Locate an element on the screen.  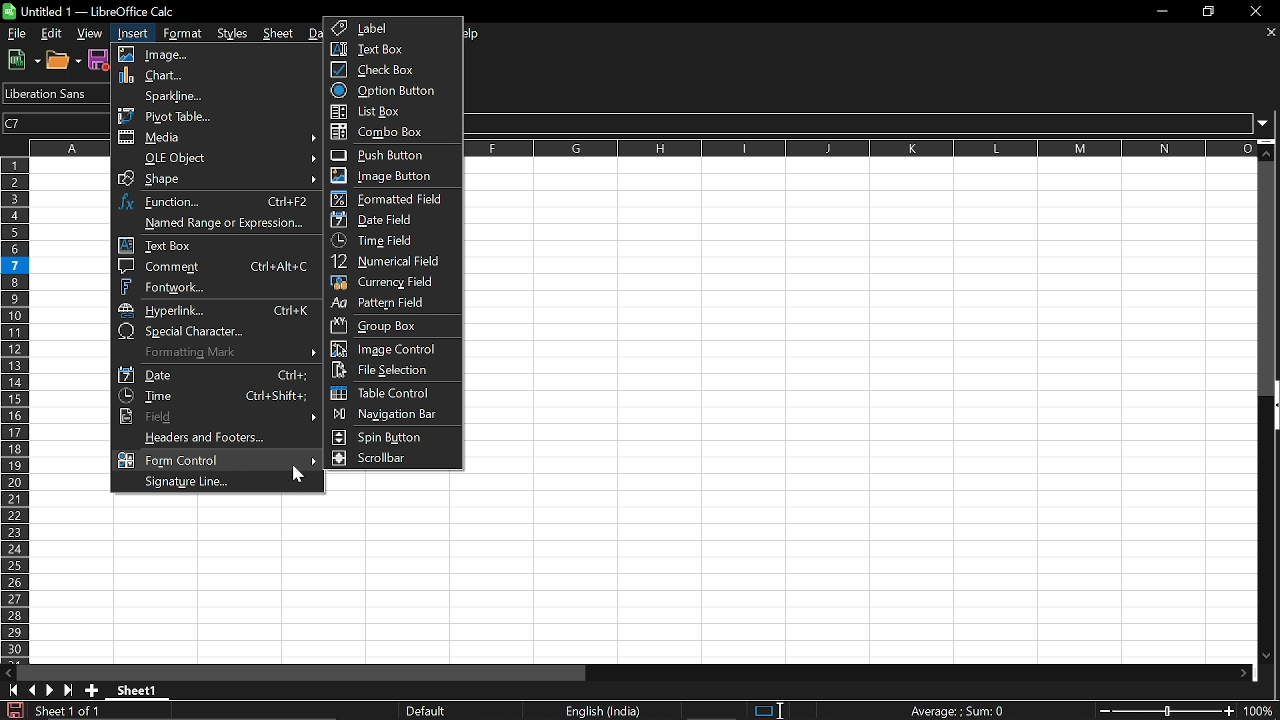
Close document is located at coordinates (1272, 32).